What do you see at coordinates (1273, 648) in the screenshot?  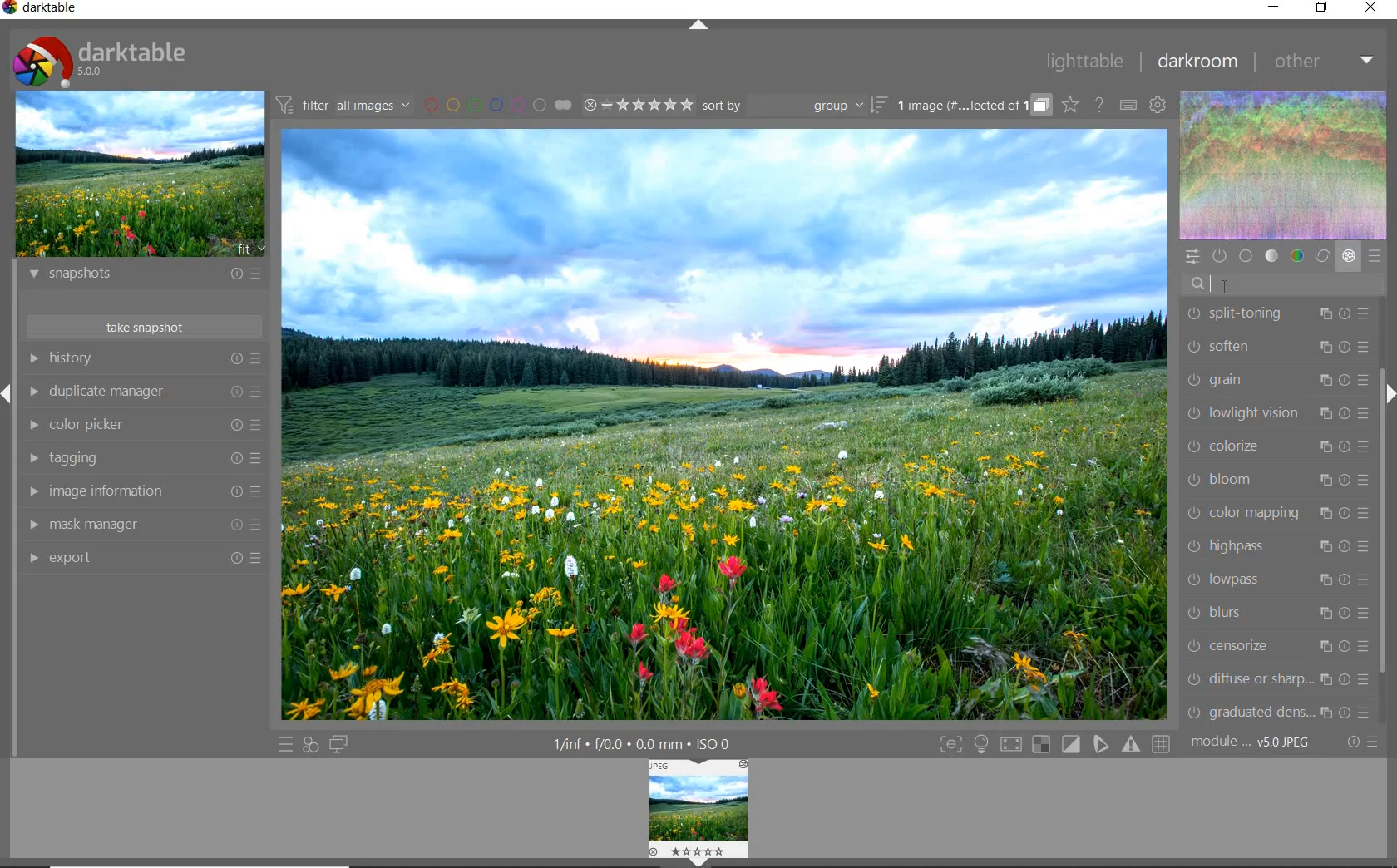 I see `censorize` at bounding box center [1273, 648].